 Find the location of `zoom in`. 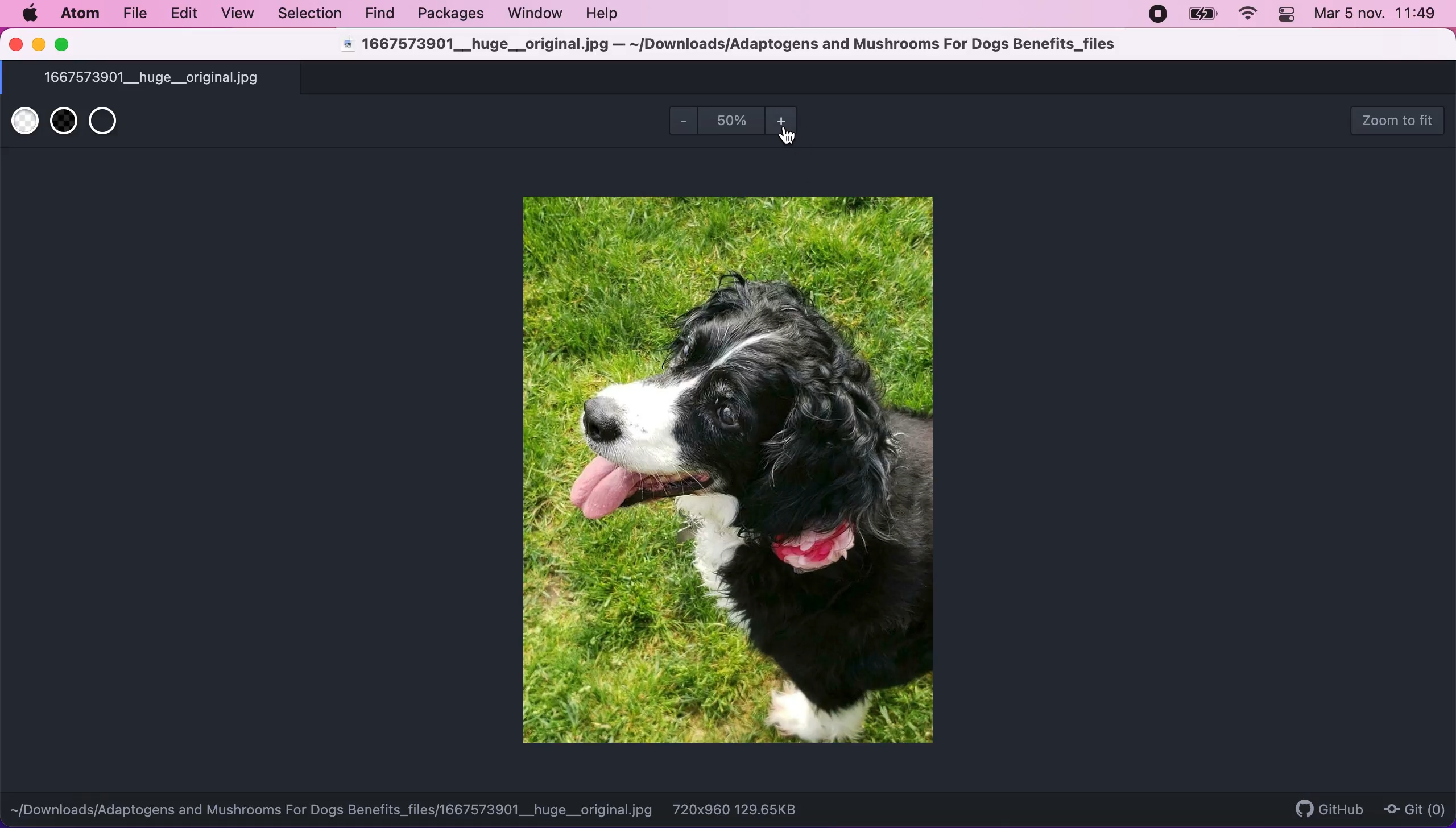

zoom in is located at coordinates (787, 123).